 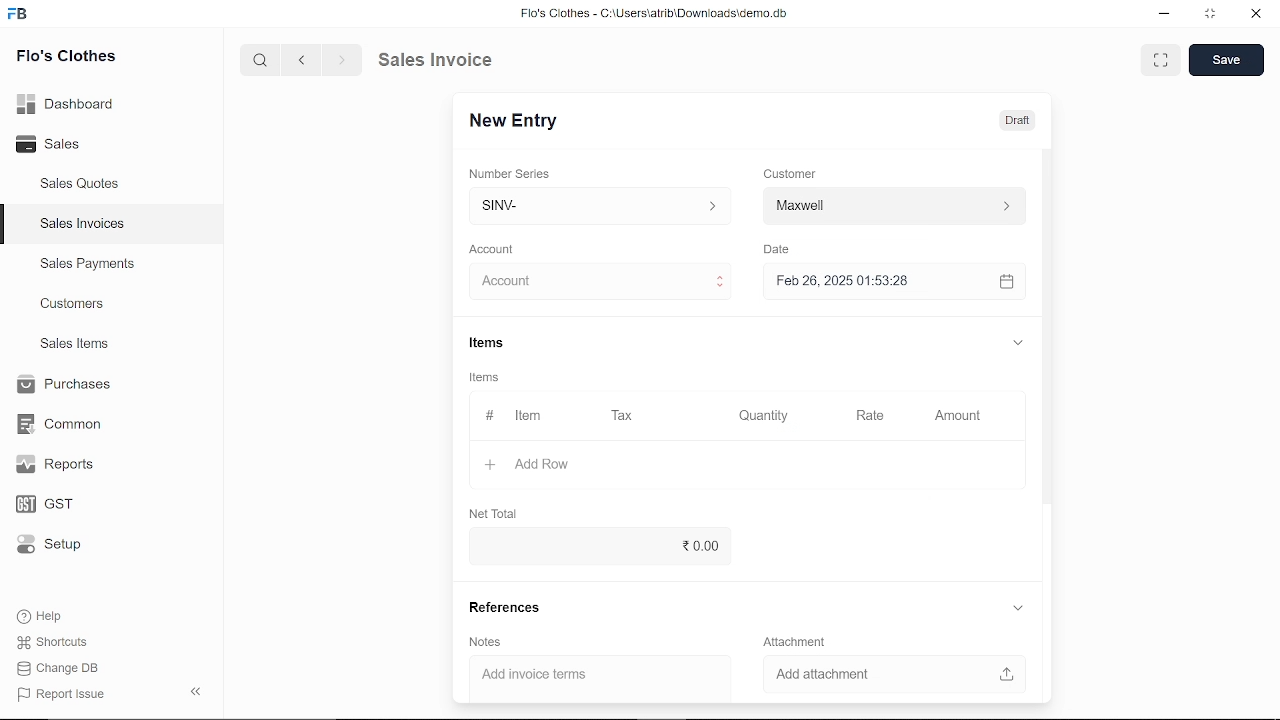 I want to click on expand, so click(x=1016, y=341).